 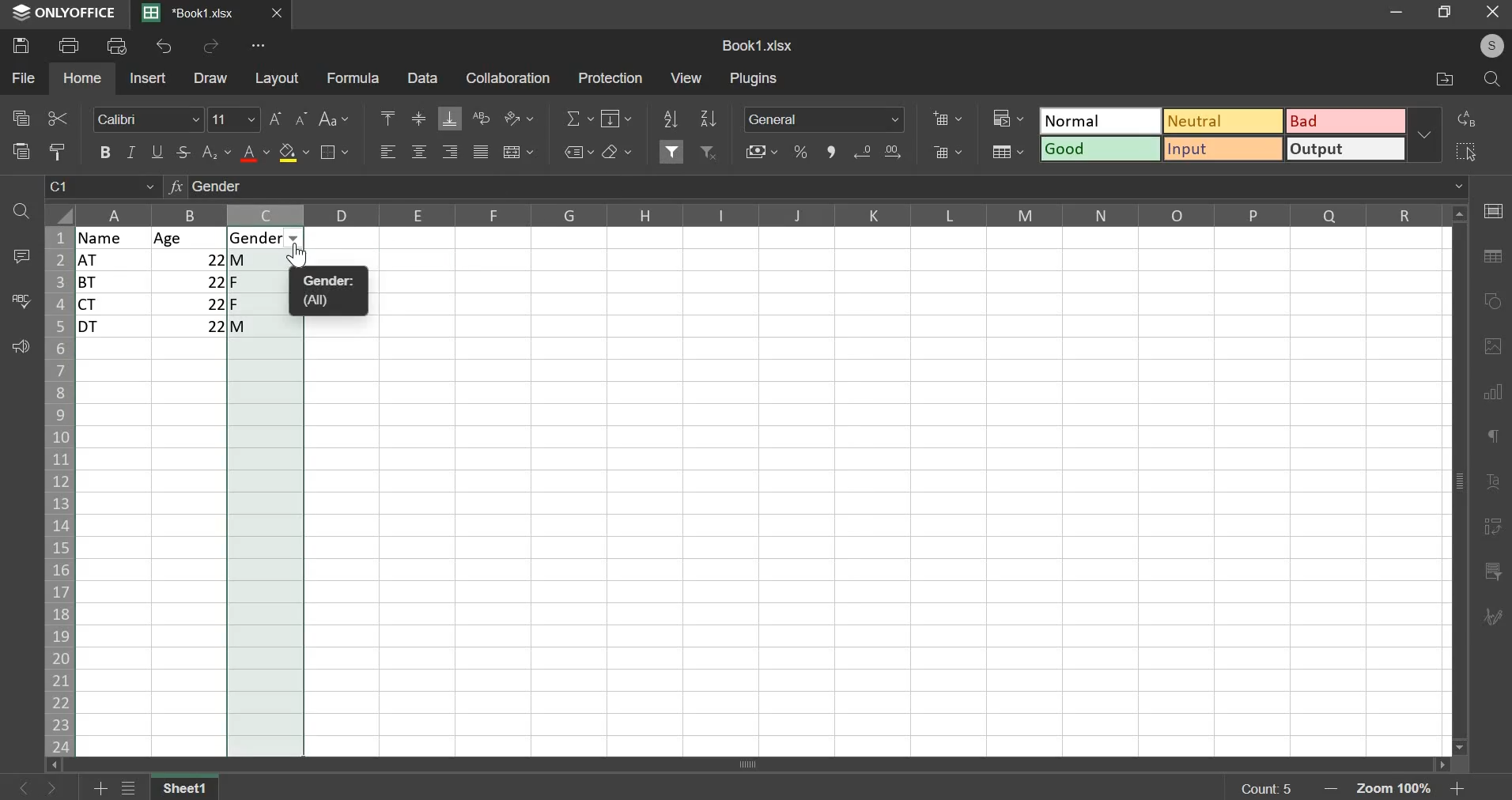 What do you see at coordinates (184, 153) in the screenshot?
I see `strokethrough` at bounding box center [184, 153].